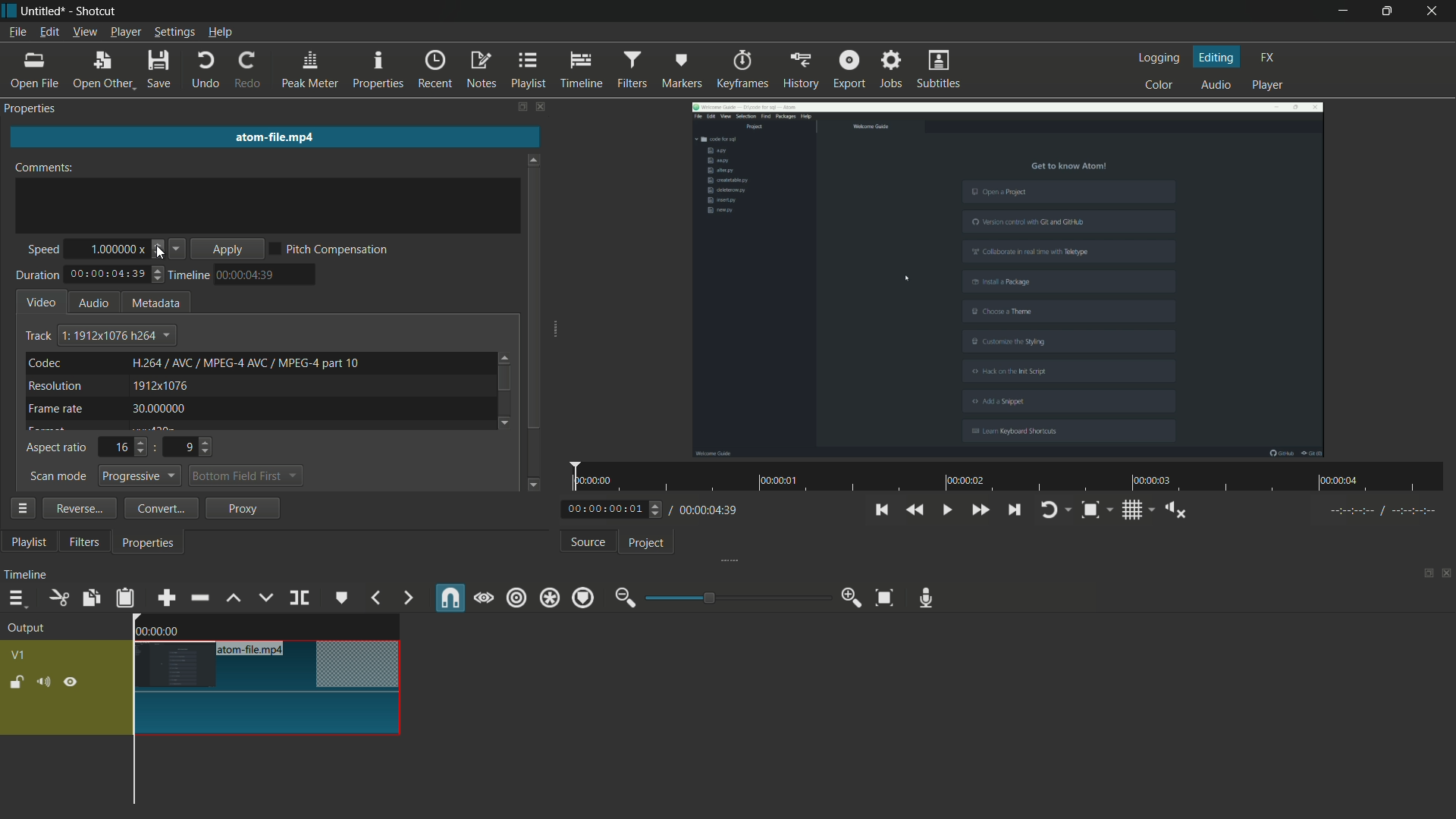 This screenshot has width=1456, height=819. What do you see at coordinates (20, 656) in the screenshot?
I see `v1` at bounding box center [20, 656].